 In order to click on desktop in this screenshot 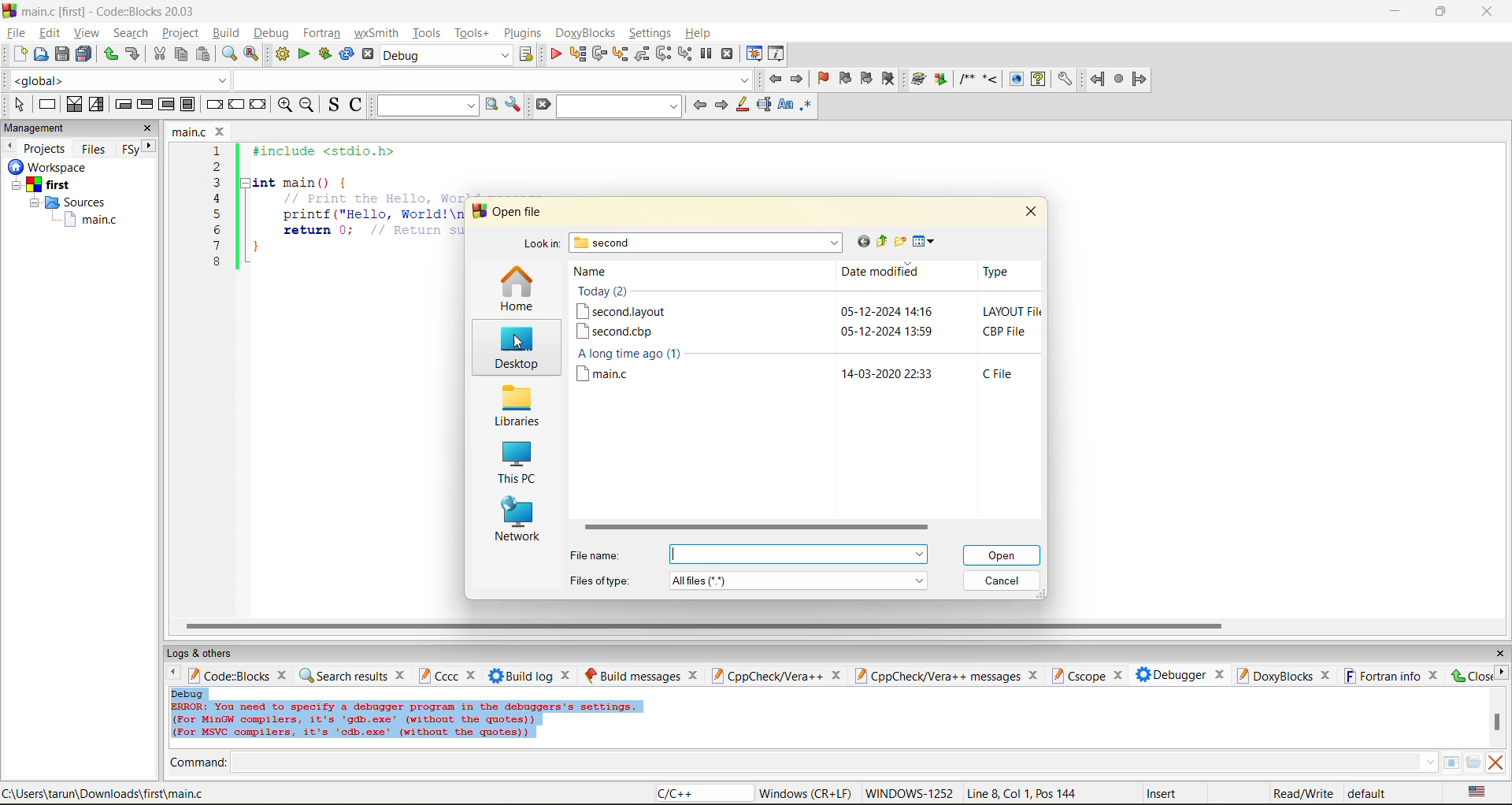, I will do `click(514, 350)`.